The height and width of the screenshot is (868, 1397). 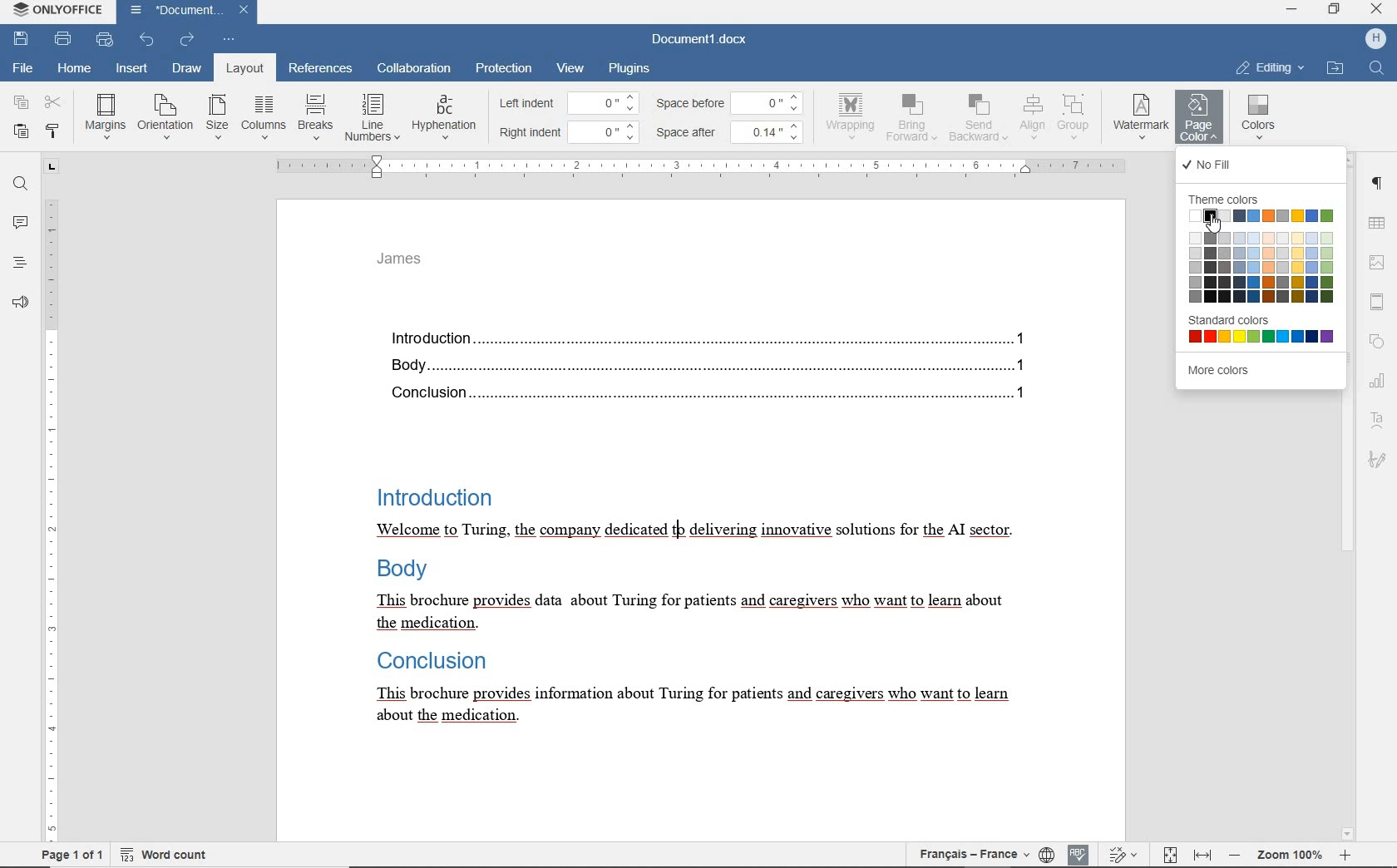 I want to click on 0, so click(x=768, y=104).